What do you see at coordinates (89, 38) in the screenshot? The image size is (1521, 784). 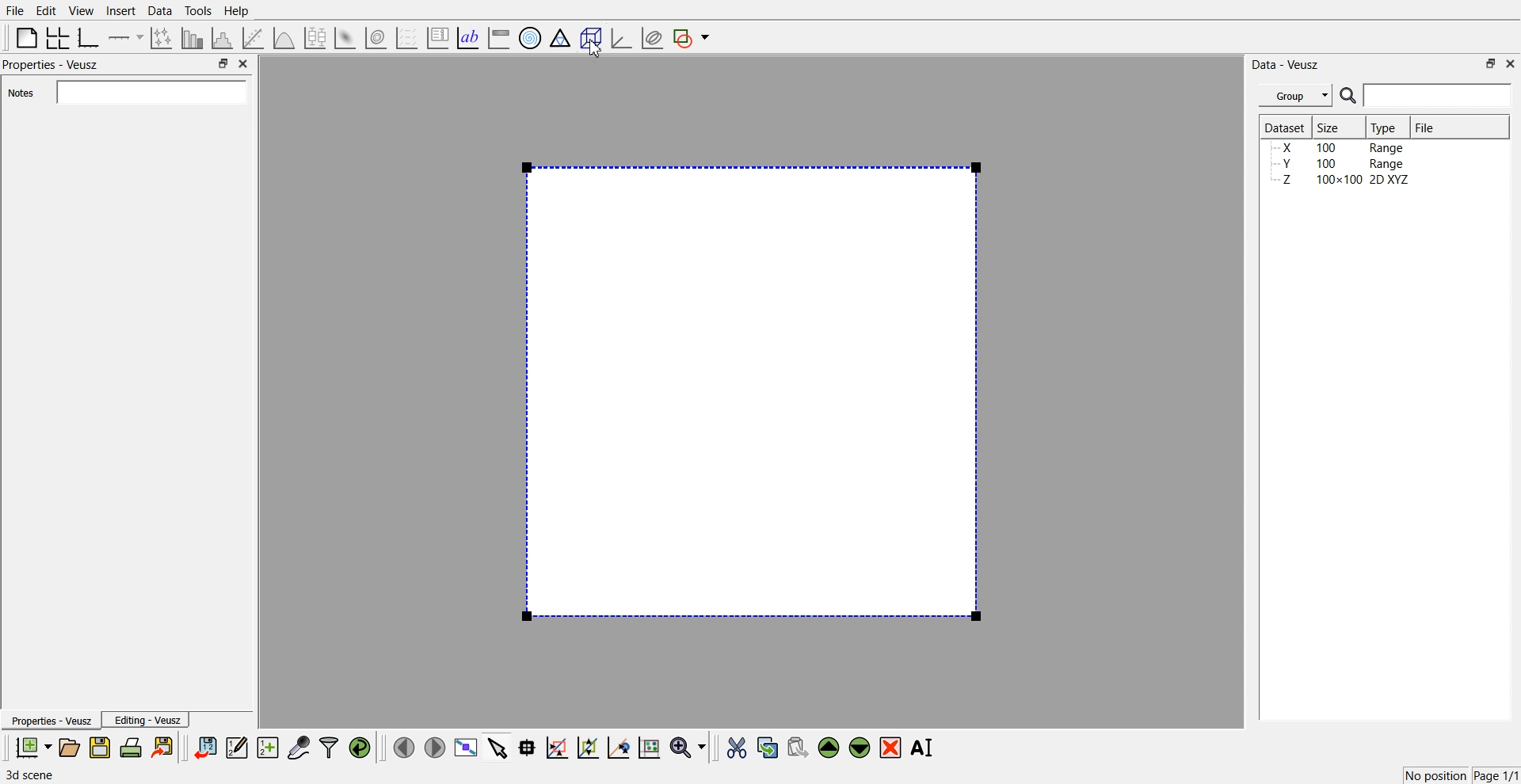 I see `Base Graph` at bounding box center [89, 38].